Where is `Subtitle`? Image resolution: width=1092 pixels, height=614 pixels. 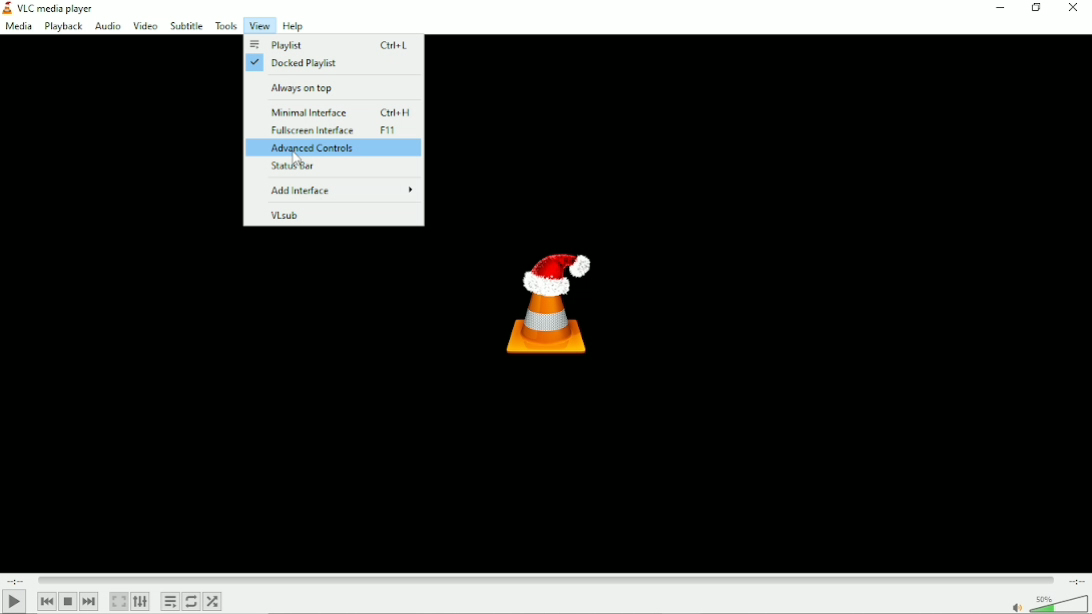 Subtitle is located at coordinates (186, 25).